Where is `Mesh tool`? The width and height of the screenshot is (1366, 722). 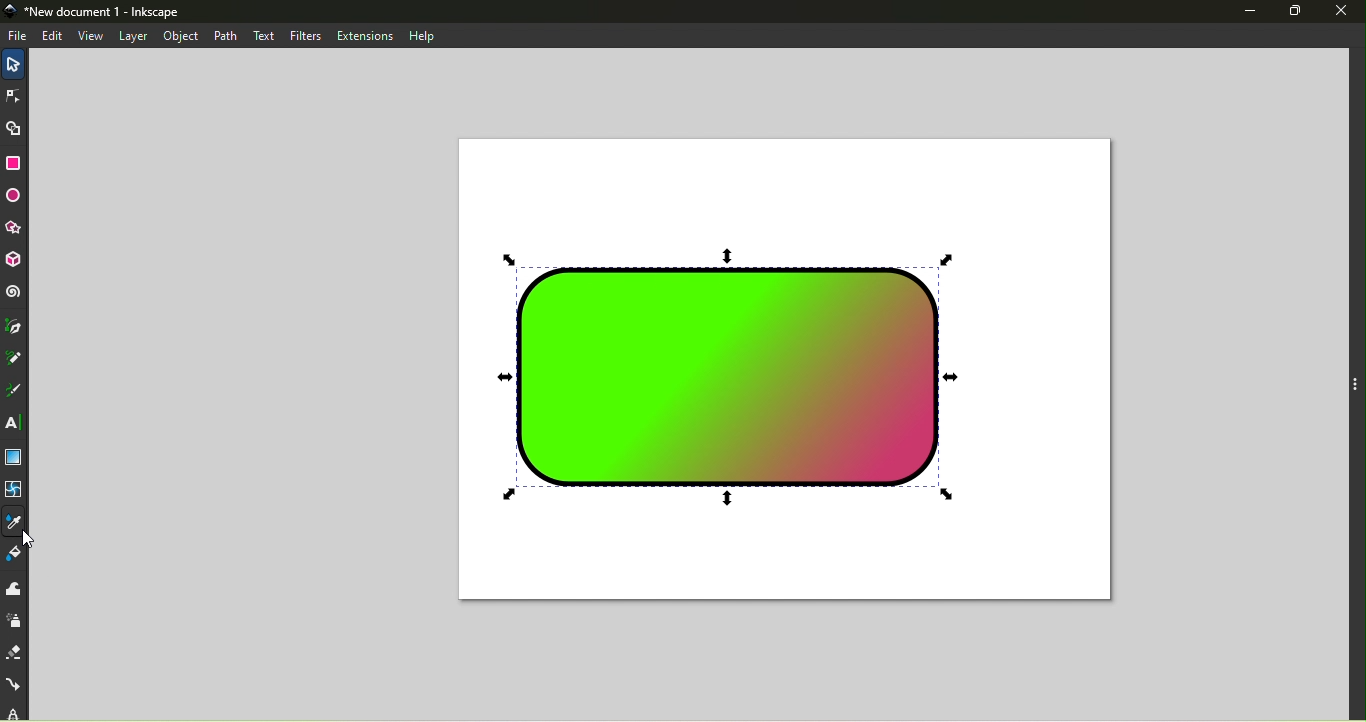 Mesh tool is located at coordinates (16, 492).